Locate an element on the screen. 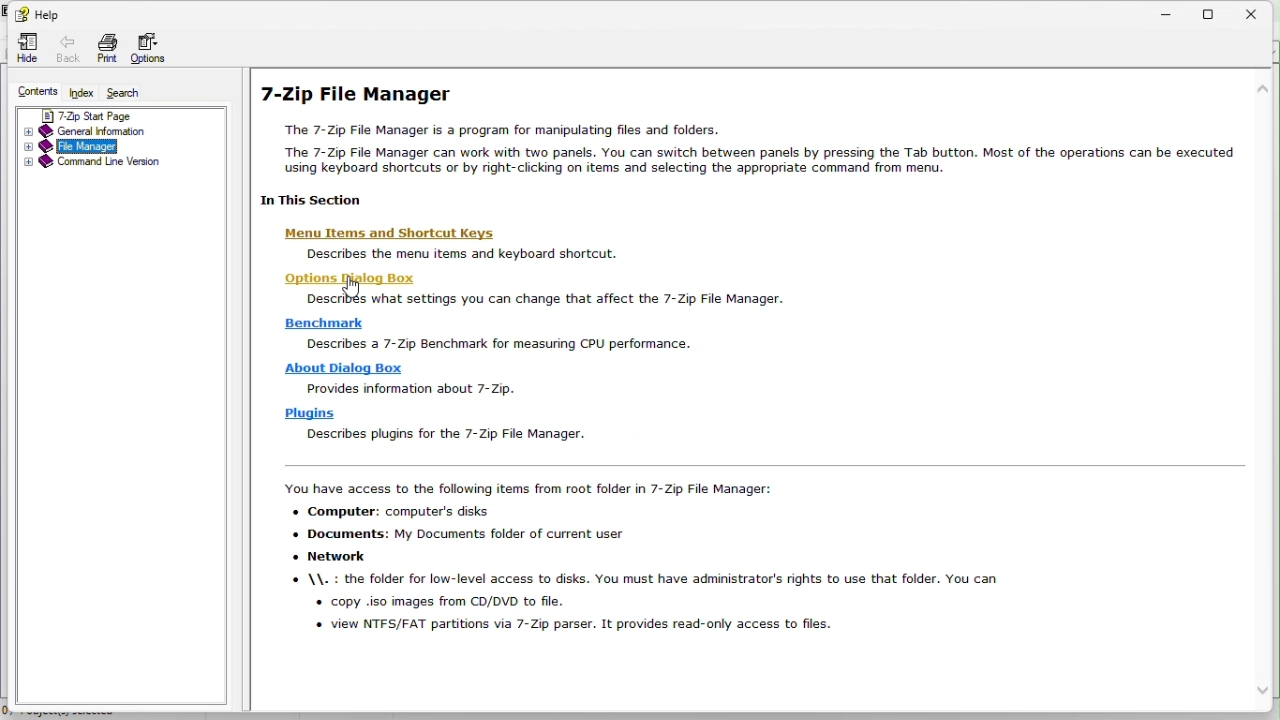 This screenshot has height=720, width=1280. options dialog box is located at coordinates (343, 280).